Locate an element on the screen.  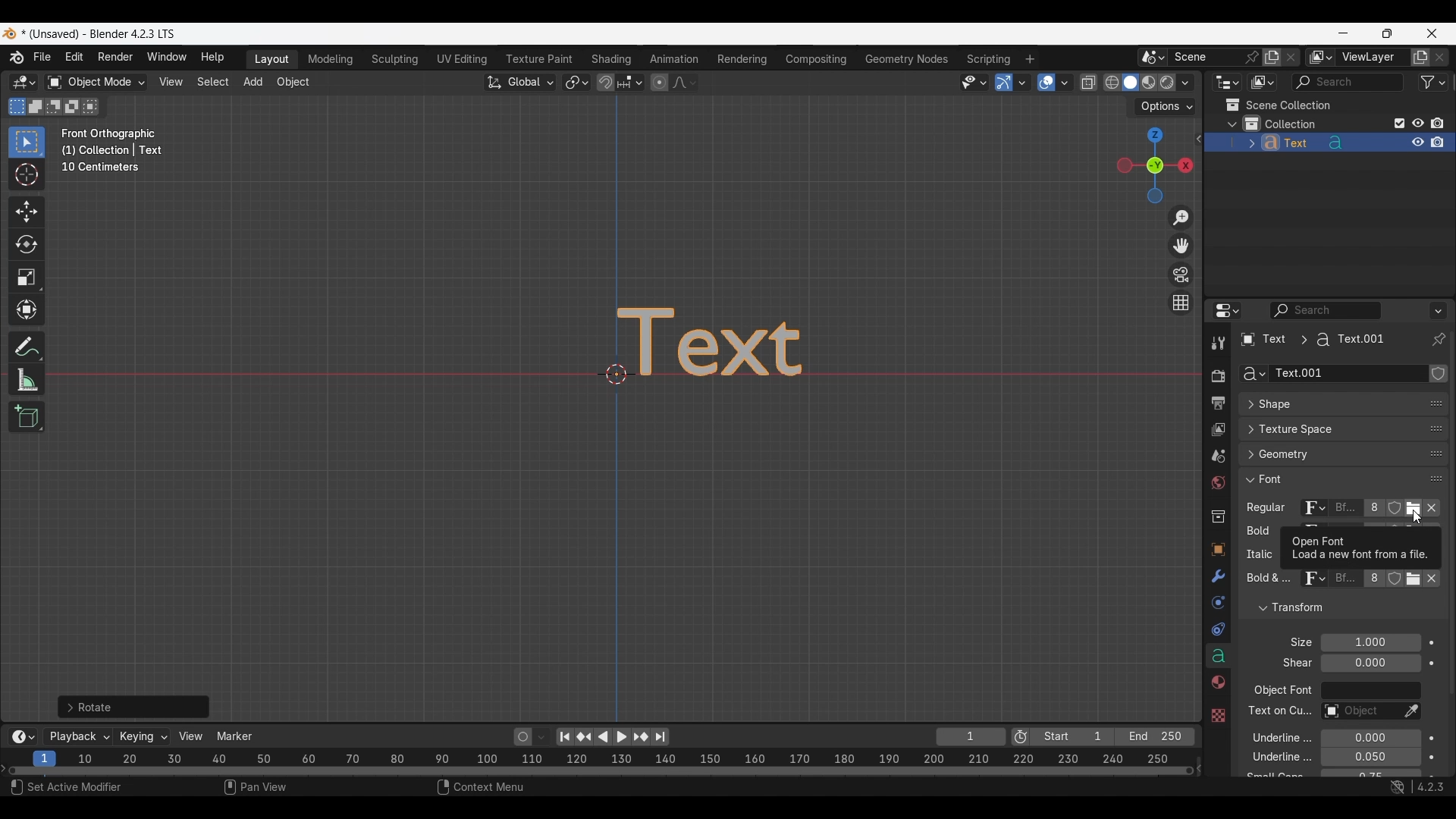
Invert existing selection is located at coordinates (72, 107).